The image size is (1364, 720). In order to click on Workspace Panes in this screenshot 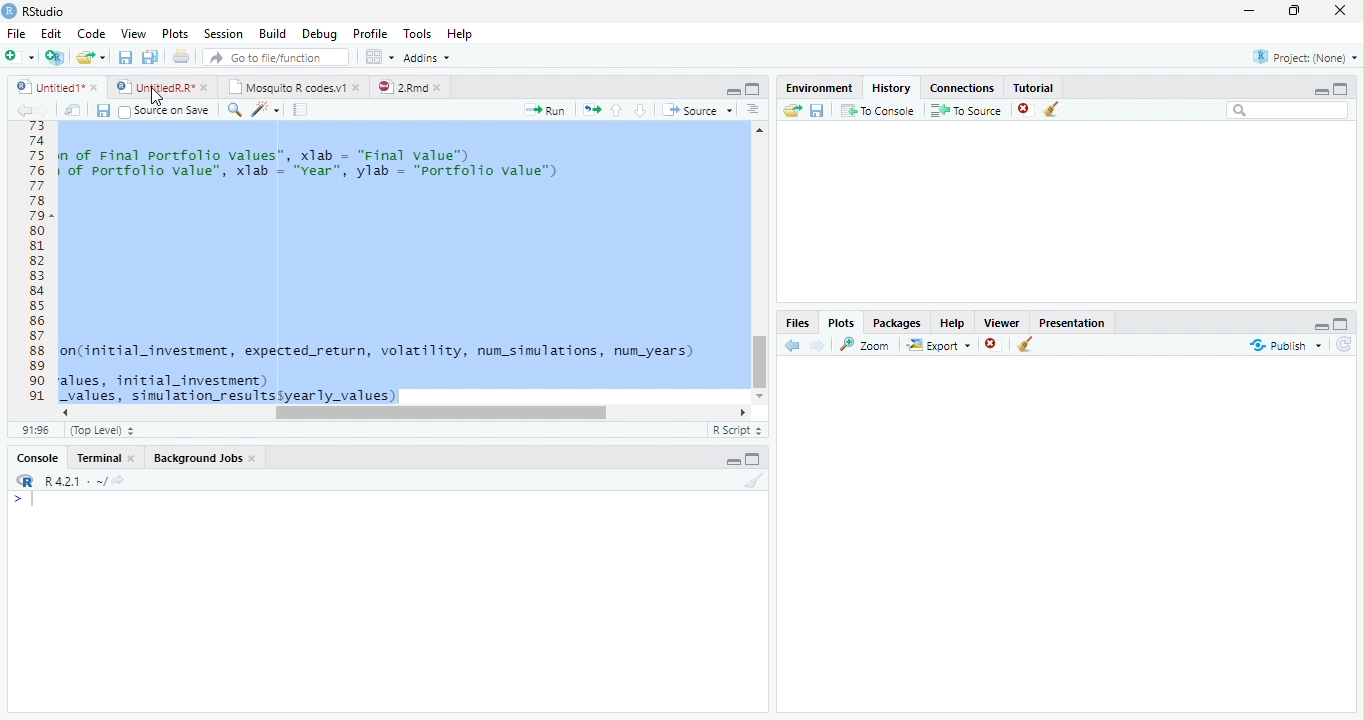, I will do `click(379, 57)`.